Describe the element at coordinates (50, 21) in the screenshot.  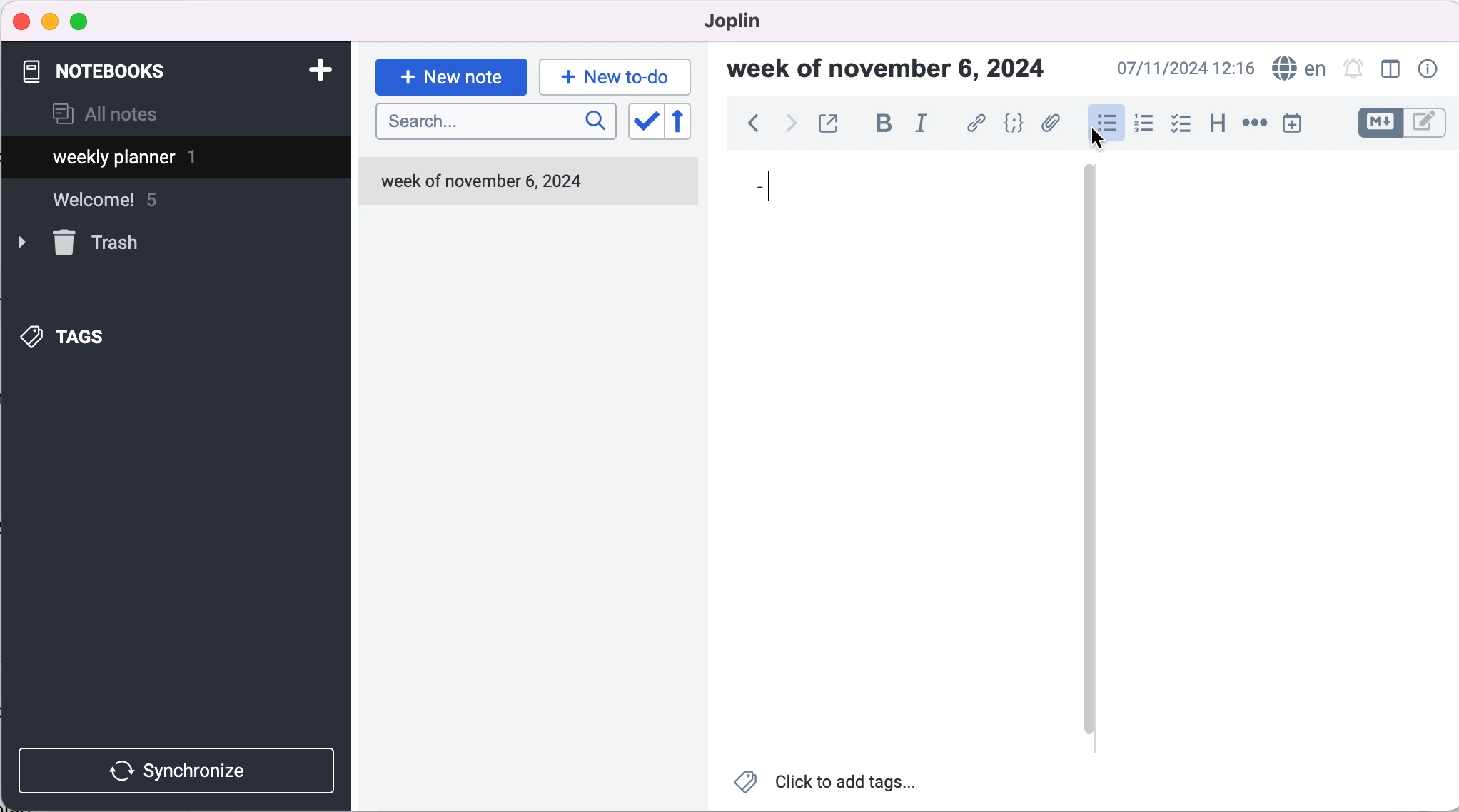
I see `minimize` at that location.